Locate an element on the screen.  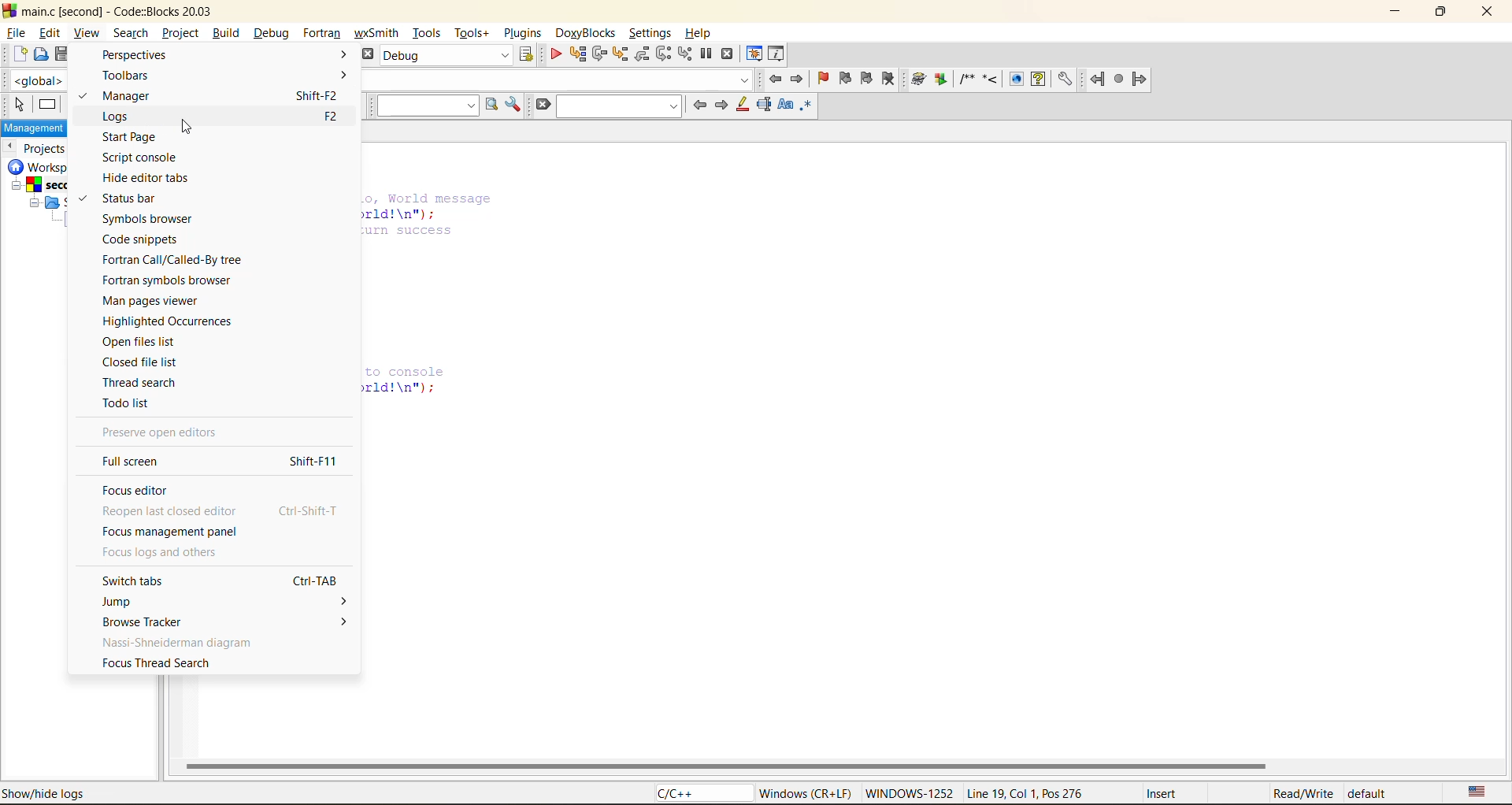
code snippets is located at coordinates (152, 241).